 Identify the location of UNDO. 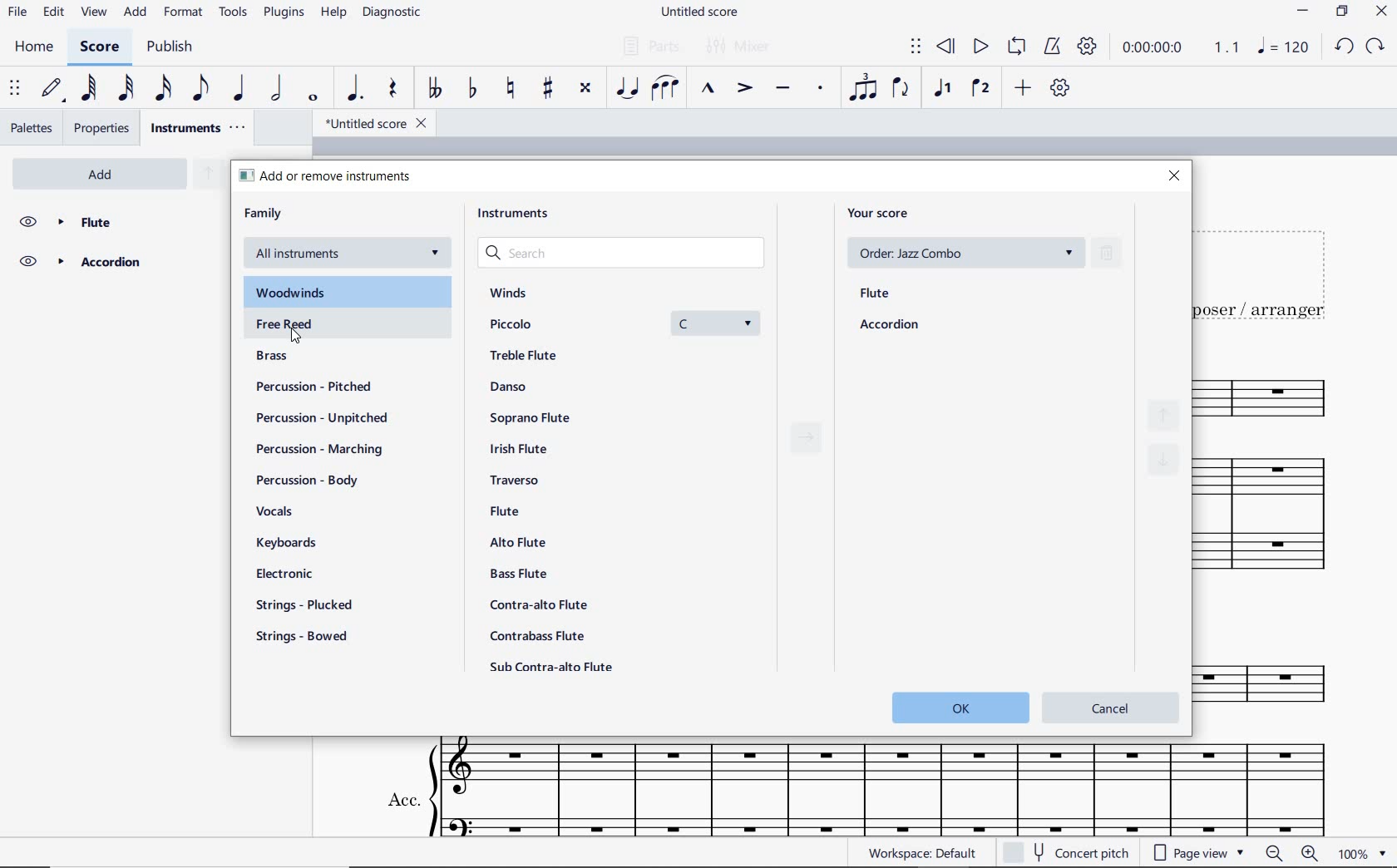
(1344, 46).